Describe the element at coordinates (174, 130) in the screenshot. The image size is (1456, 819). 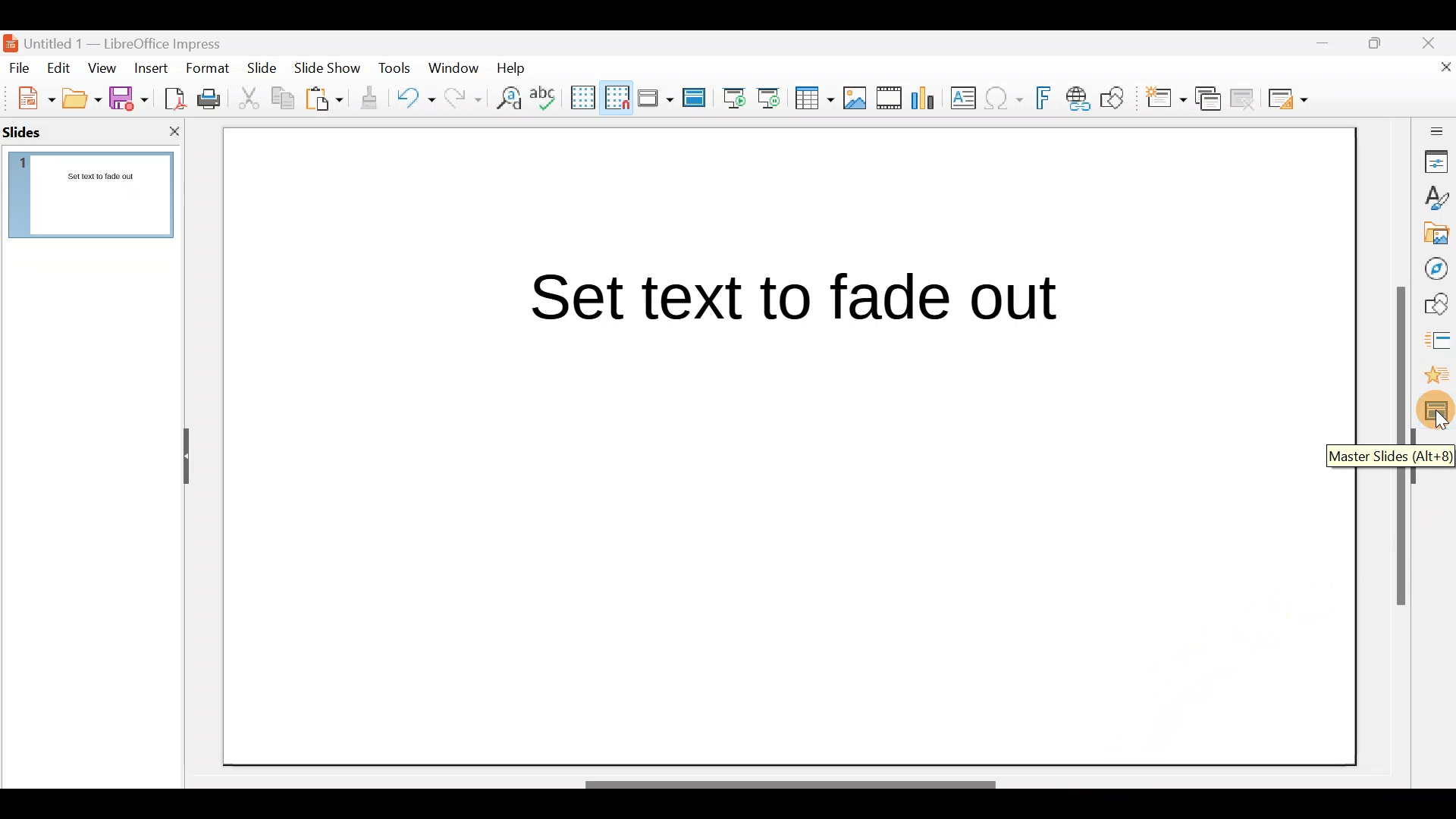
I see `close slide` at that location.